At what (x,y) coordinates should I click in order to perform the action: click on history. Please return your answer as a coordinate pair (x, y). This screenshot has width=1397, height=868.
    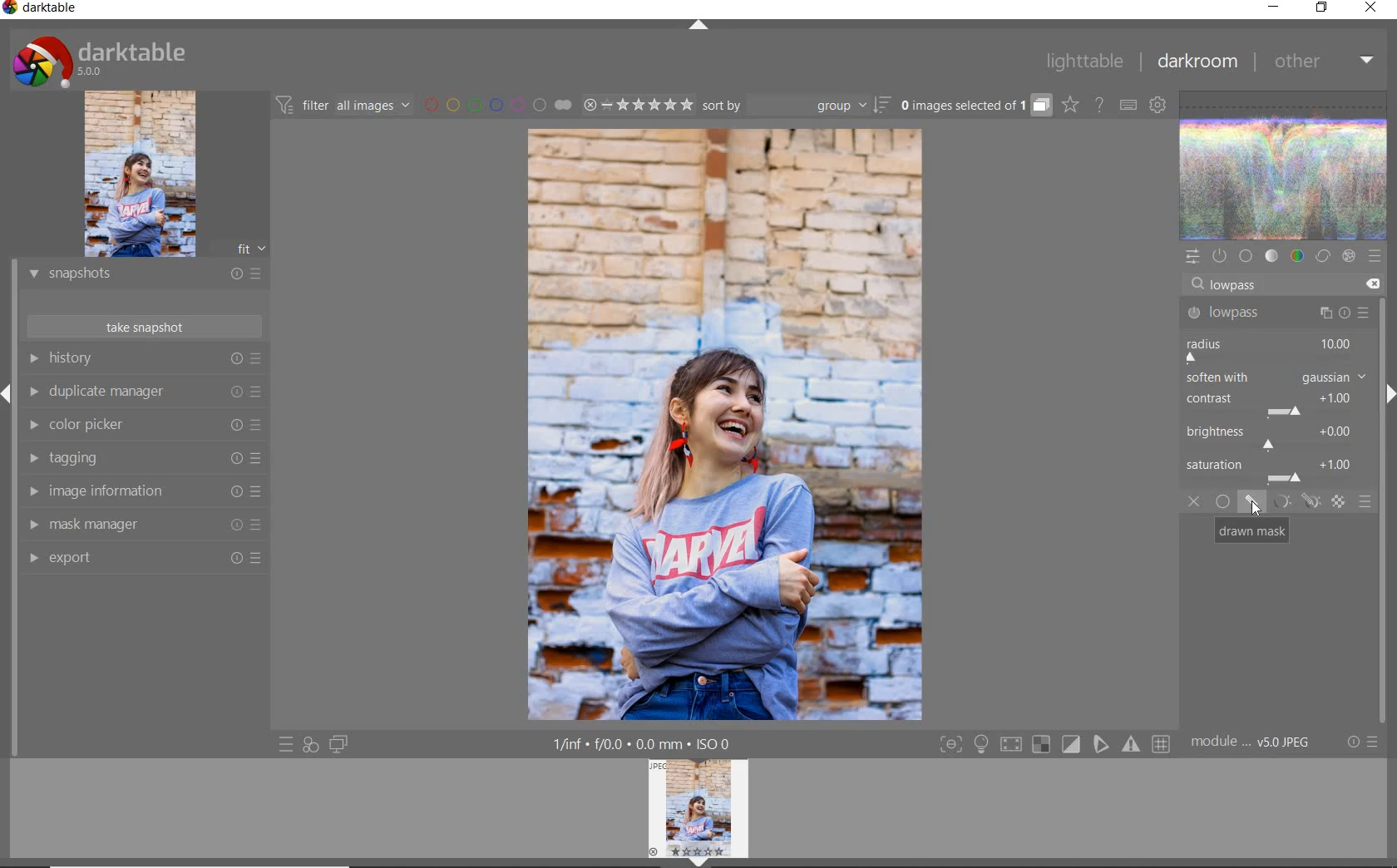
    Looking at the image, I should click on (150, 359).